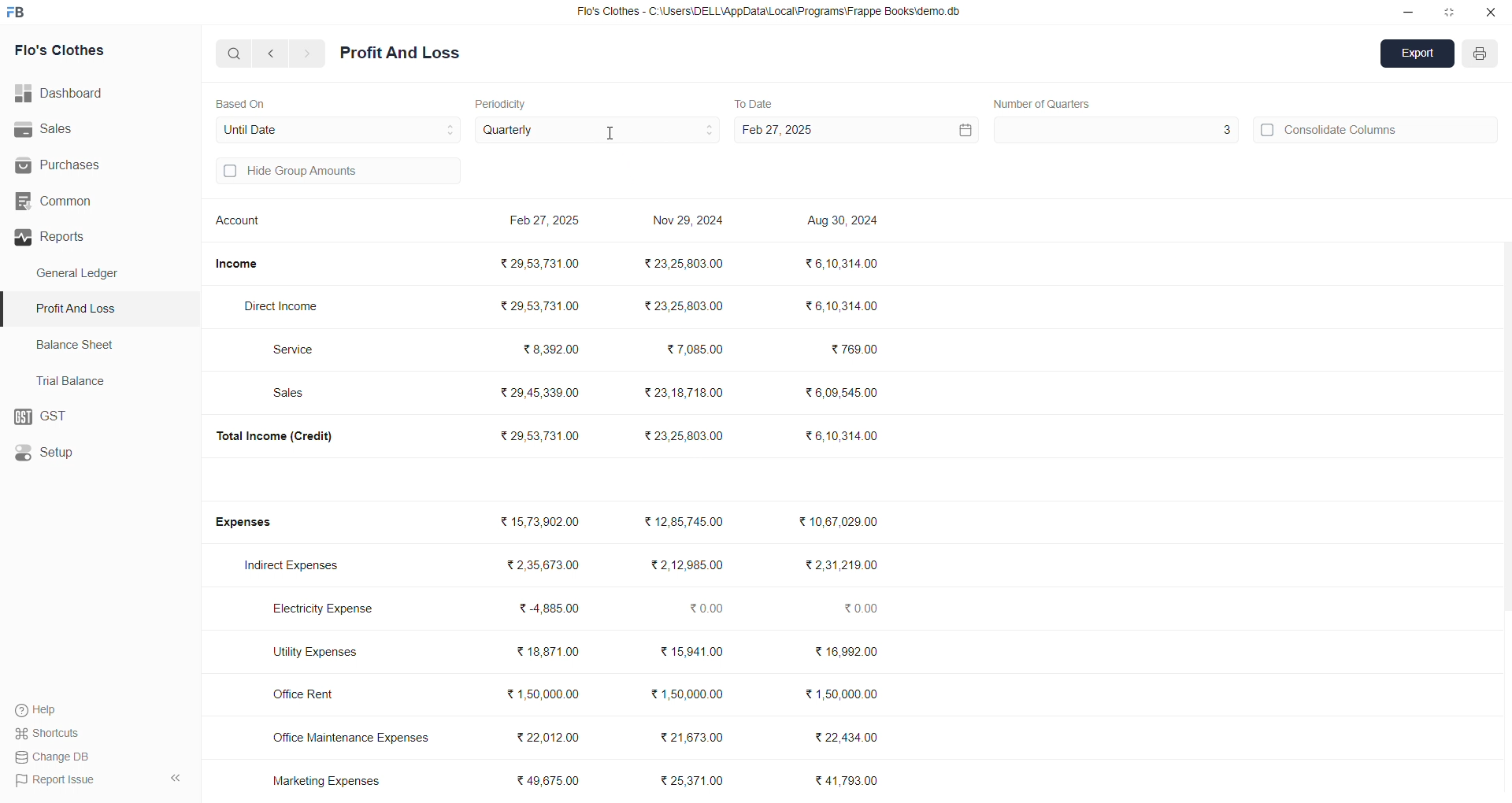 The width and height of the screenshot is (1512, 803). Describe the element at coordinates (547, 222) in the screenshot. I see `Feb 27, 2025` at that location.